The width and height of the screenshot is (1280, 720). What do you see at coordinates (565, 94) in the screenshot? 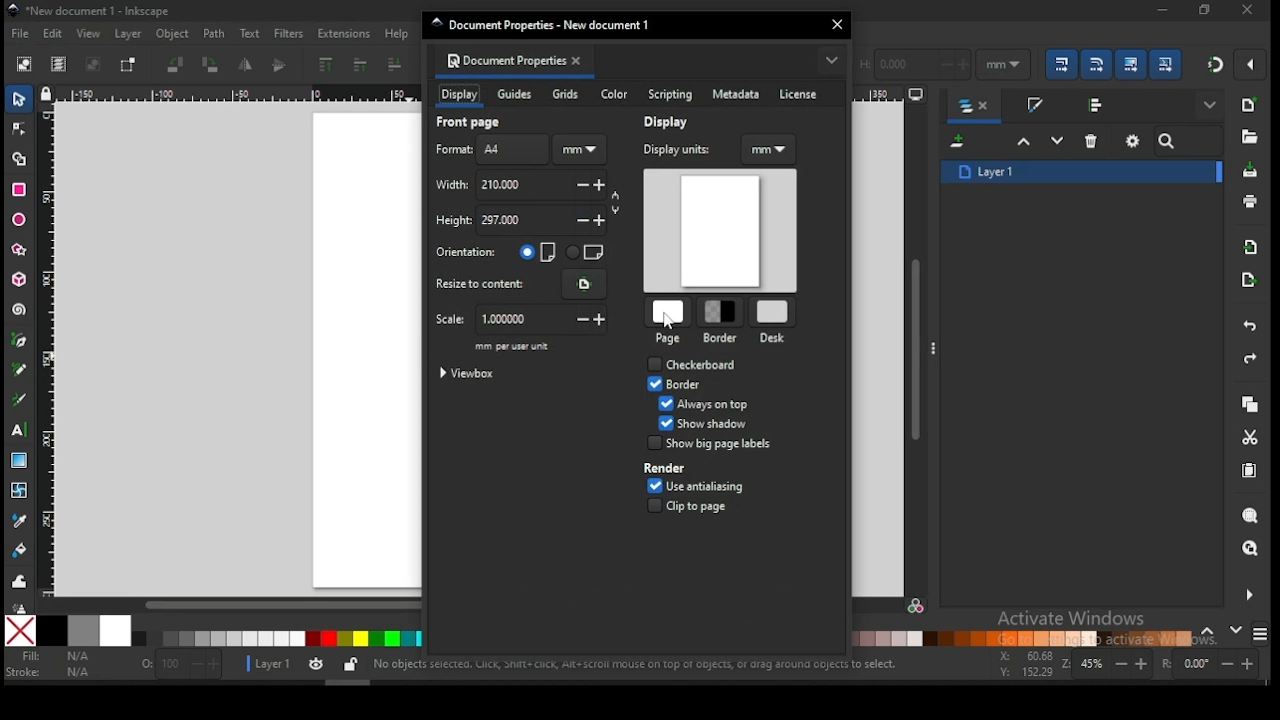
I see `grids` at bounding box center [565, 94].